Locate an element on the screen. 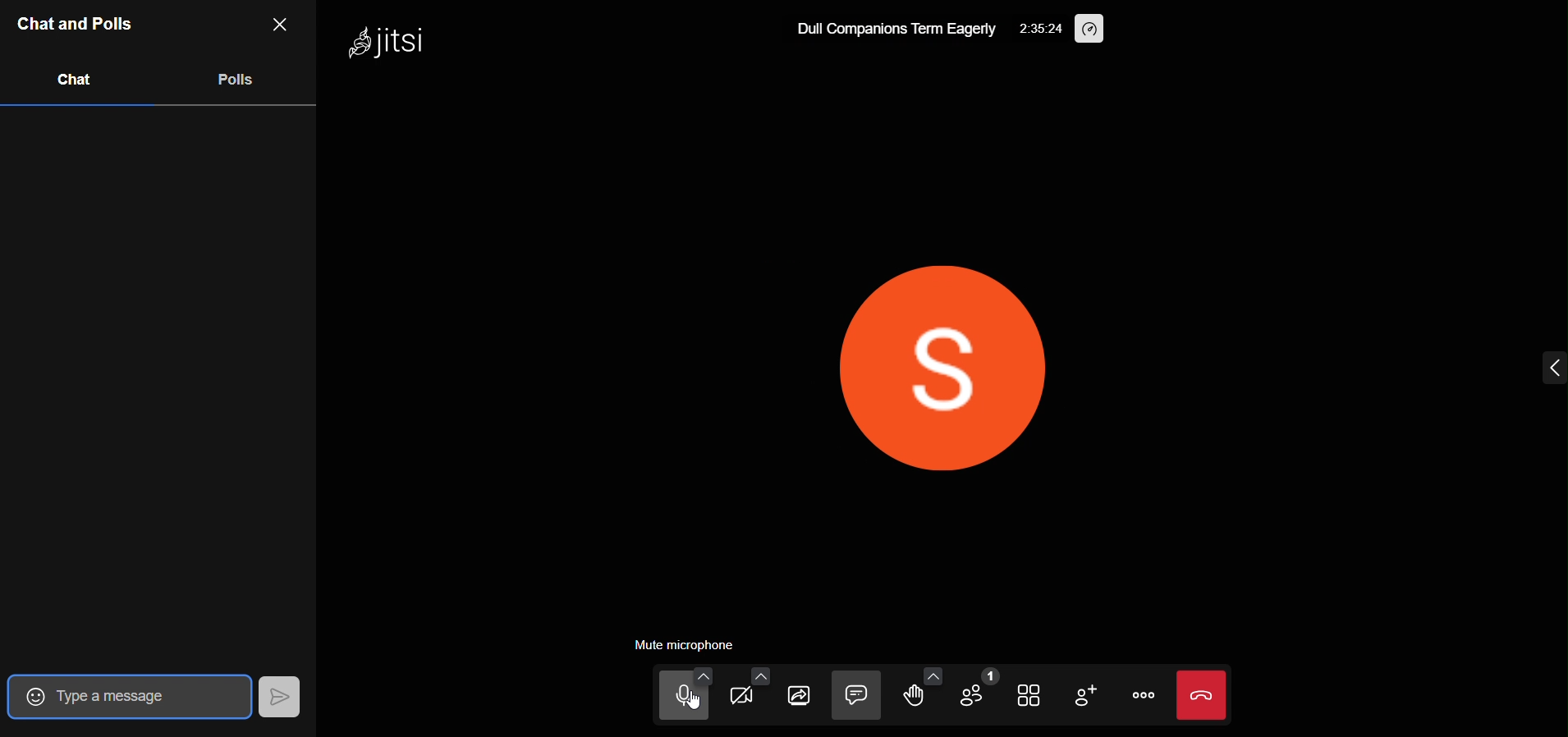 The image size is (1568, 737). video setting is located at coordinates (759, 673).